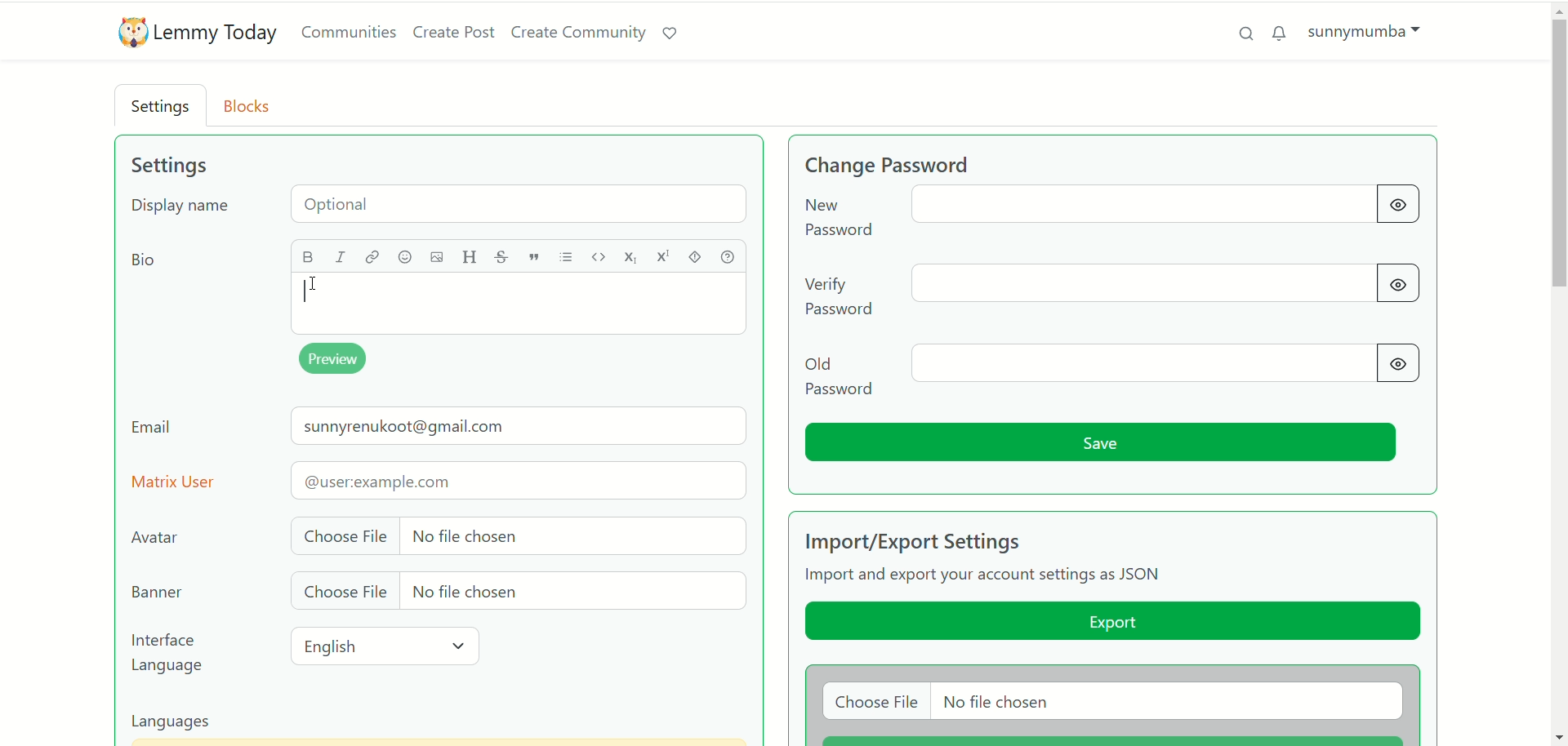  I want to click on italics, so click(345, 258).